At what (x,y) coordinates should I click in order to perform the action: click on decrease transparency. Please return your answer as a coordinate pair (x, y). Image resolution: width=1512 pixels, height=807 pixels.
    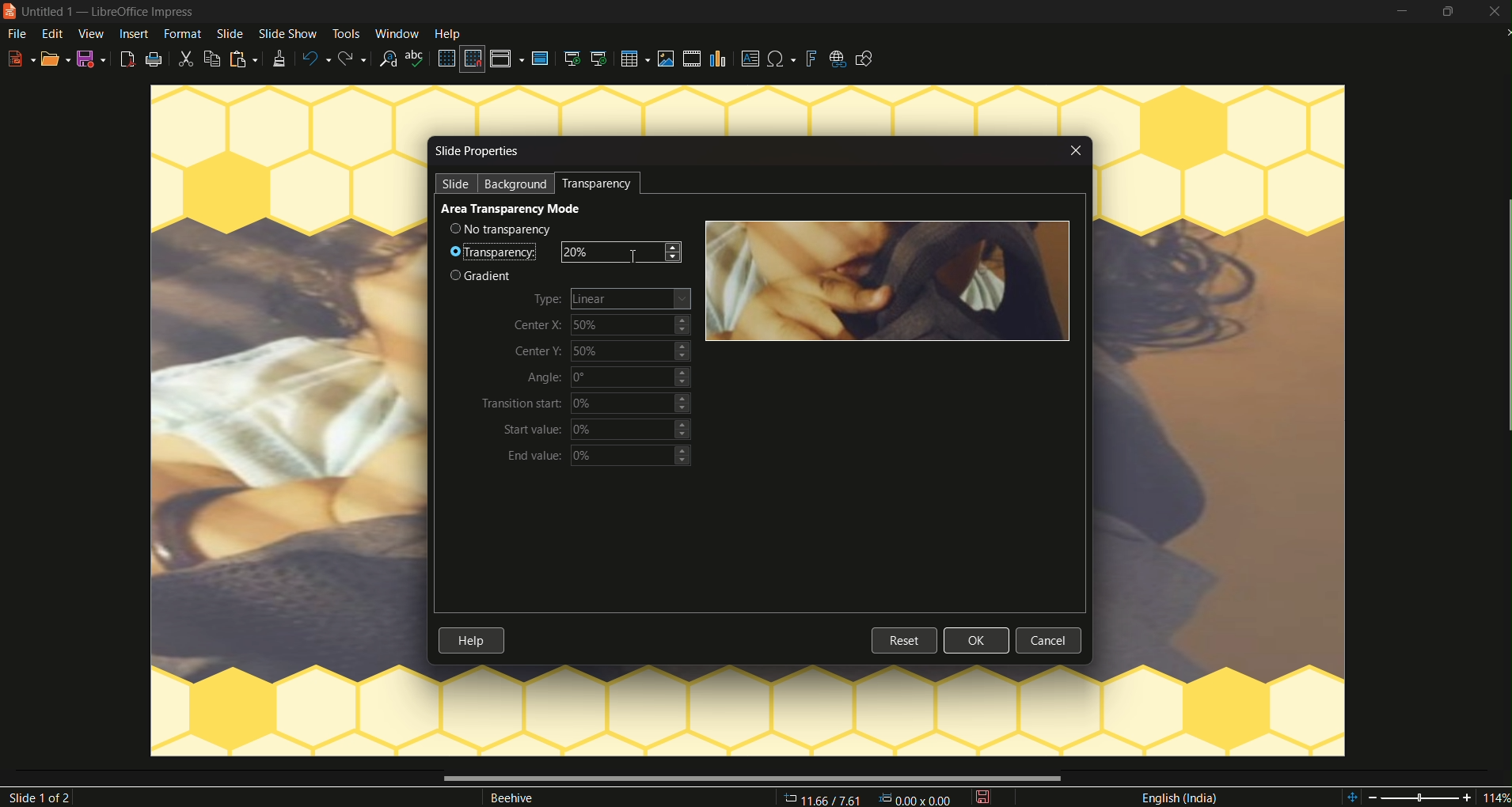
    Looking at the image, I should click on (678, 258).